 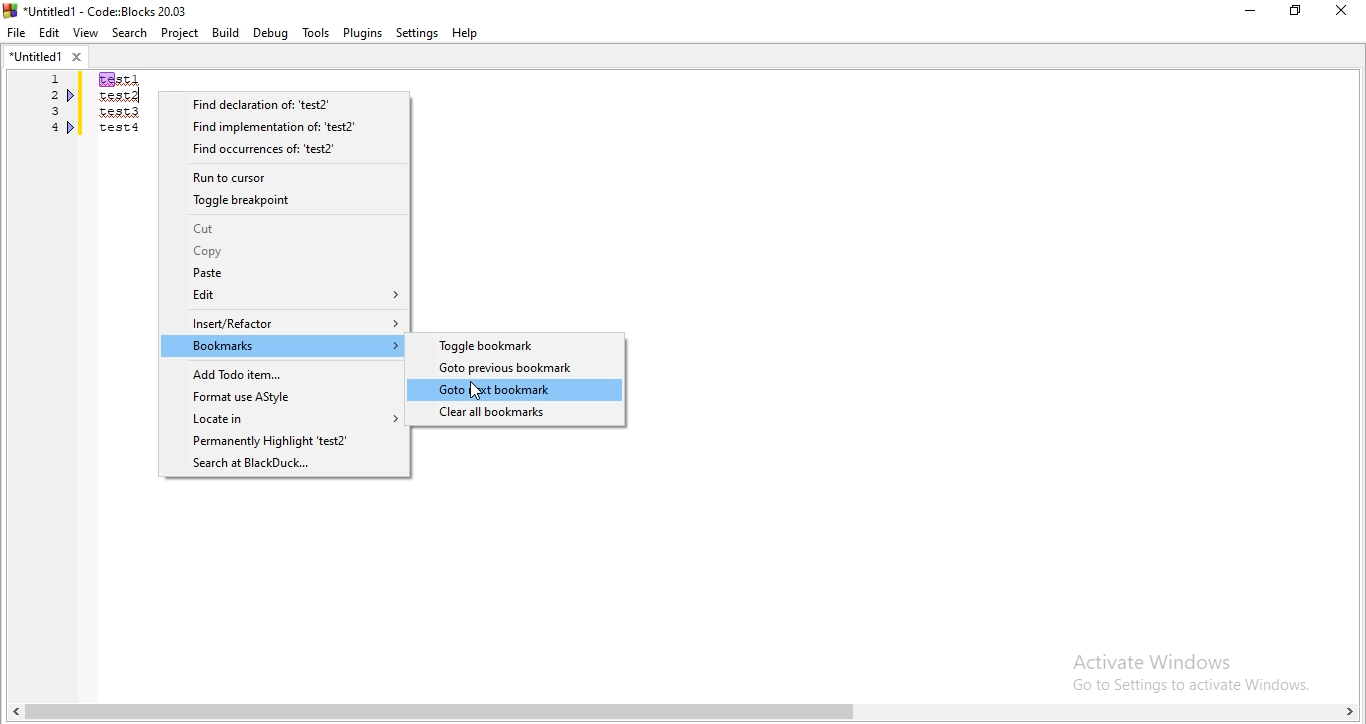 I want to click on Minimise, so click(x=1248, y=14).